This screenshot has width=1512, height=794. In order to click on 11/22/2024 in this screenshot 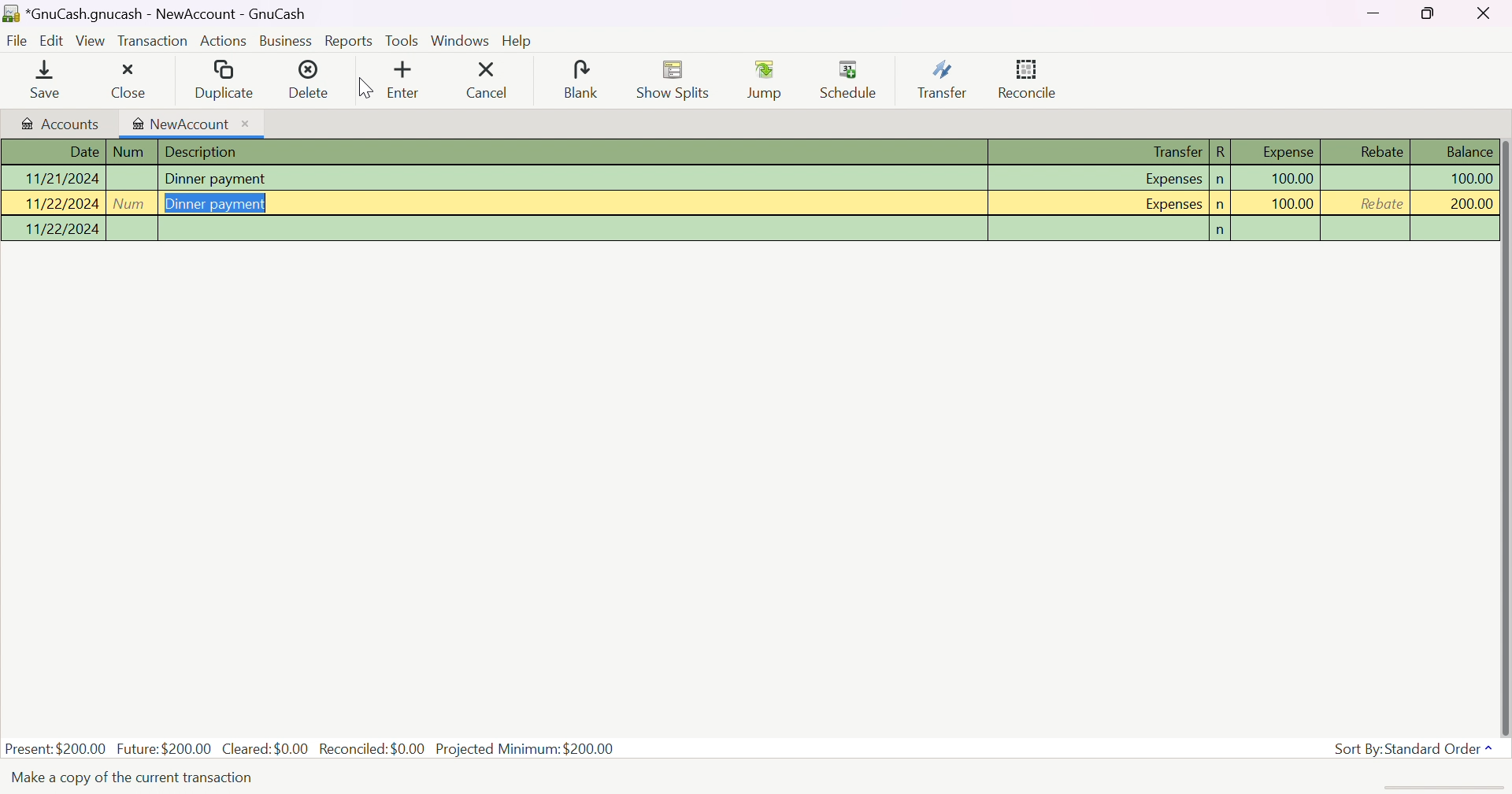, I will do `click(63, 228)`.